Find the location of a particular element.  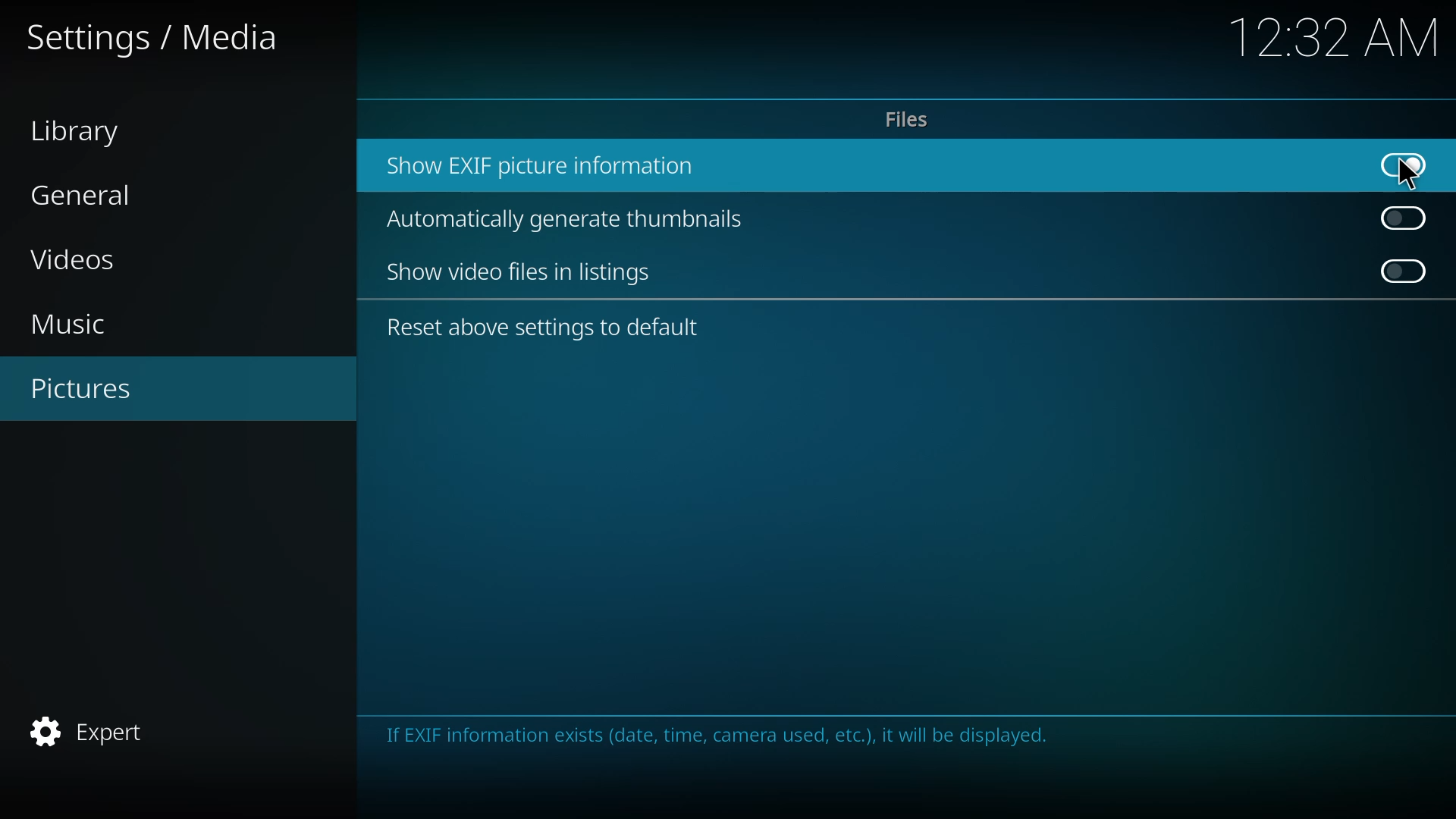

videos is located at coordinates (80, 257).